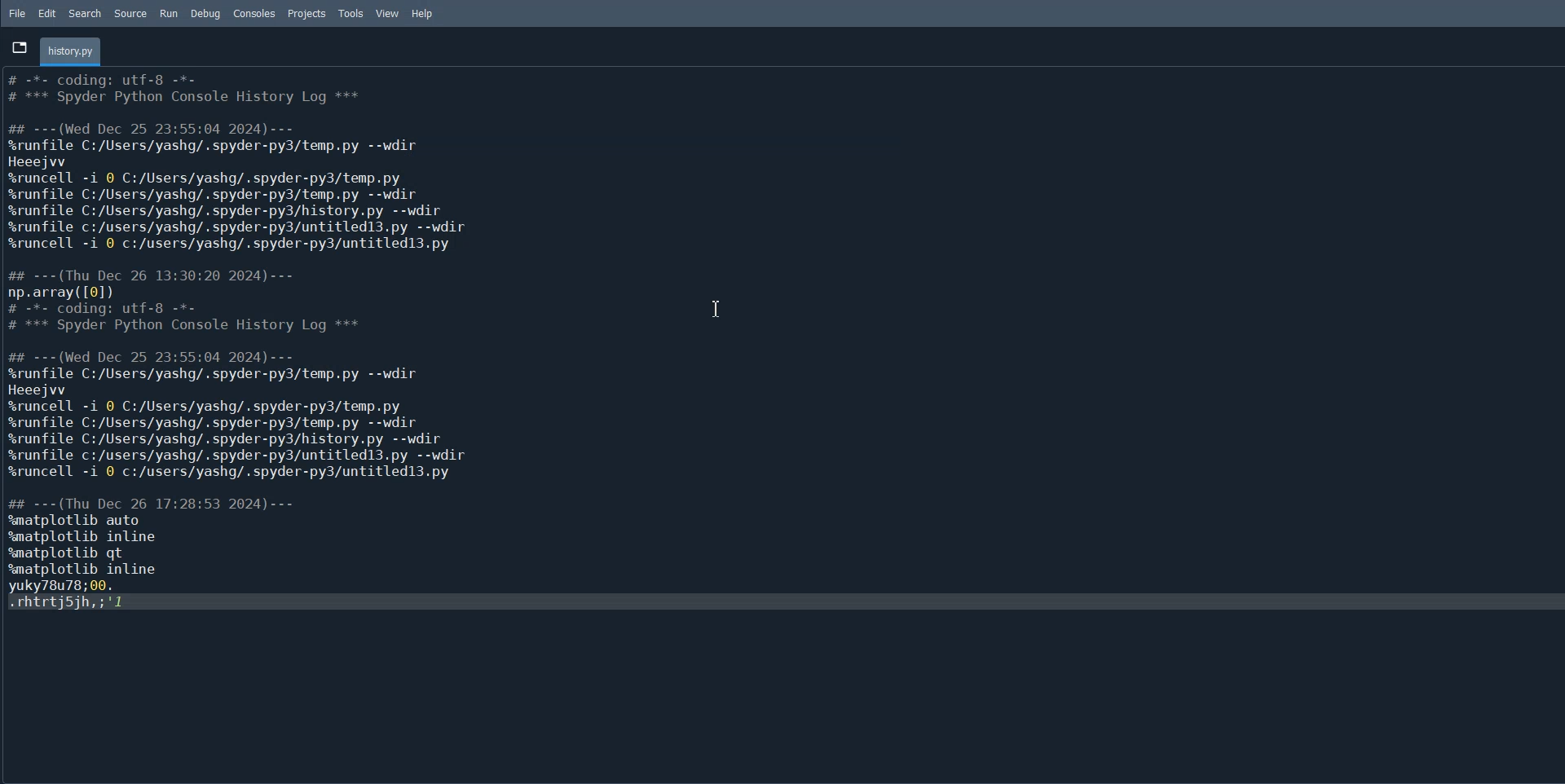  Describe the element at coordinates (70, 53) in the screenshot. I see `Folder` at that location.